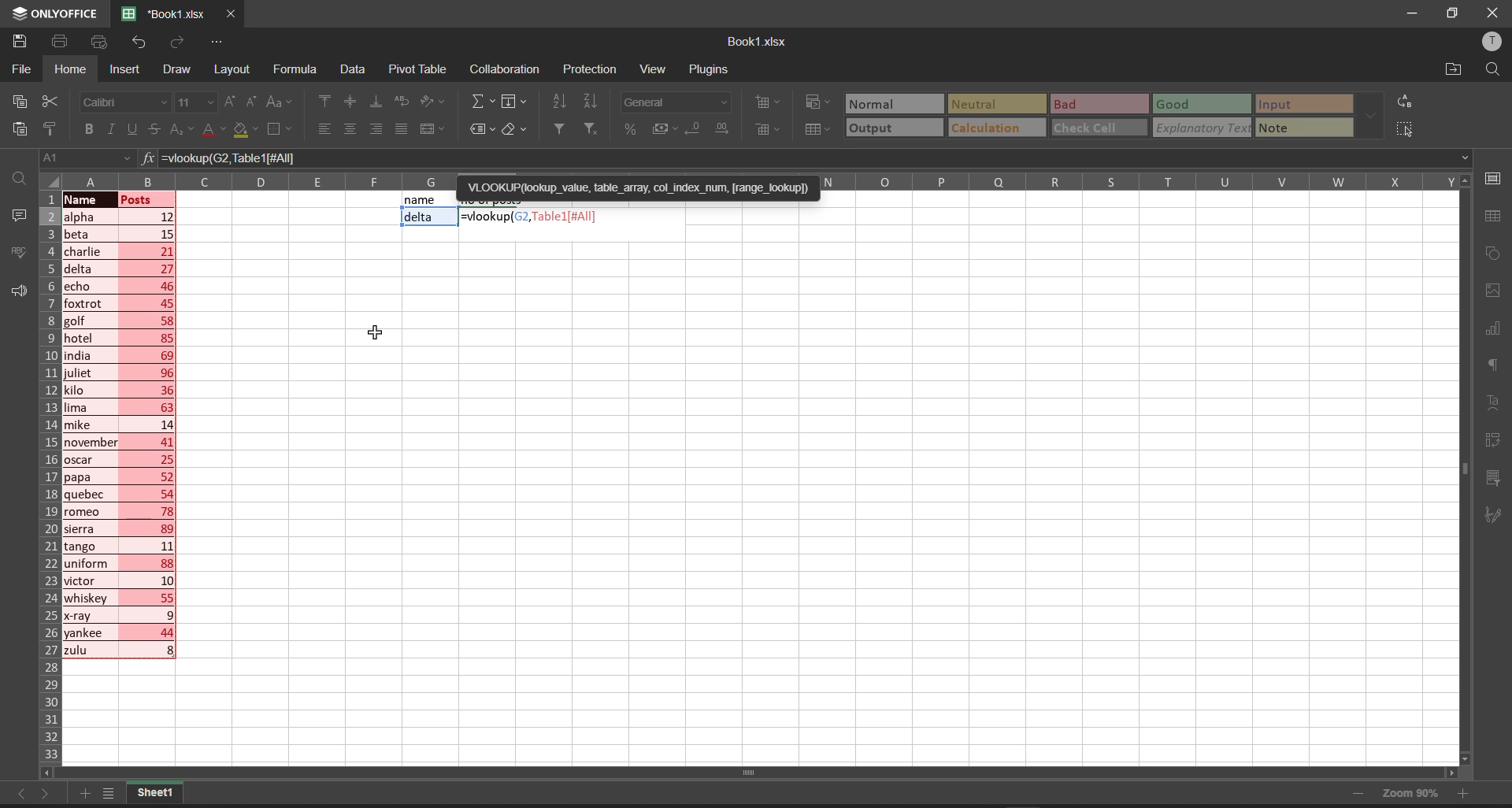 Image resolution: width=1512 pixels, height=808 pixels. What do you see at coordinates (1406, 101) in the screenshot?
I see `replace` at bounding box center [1406, 101].